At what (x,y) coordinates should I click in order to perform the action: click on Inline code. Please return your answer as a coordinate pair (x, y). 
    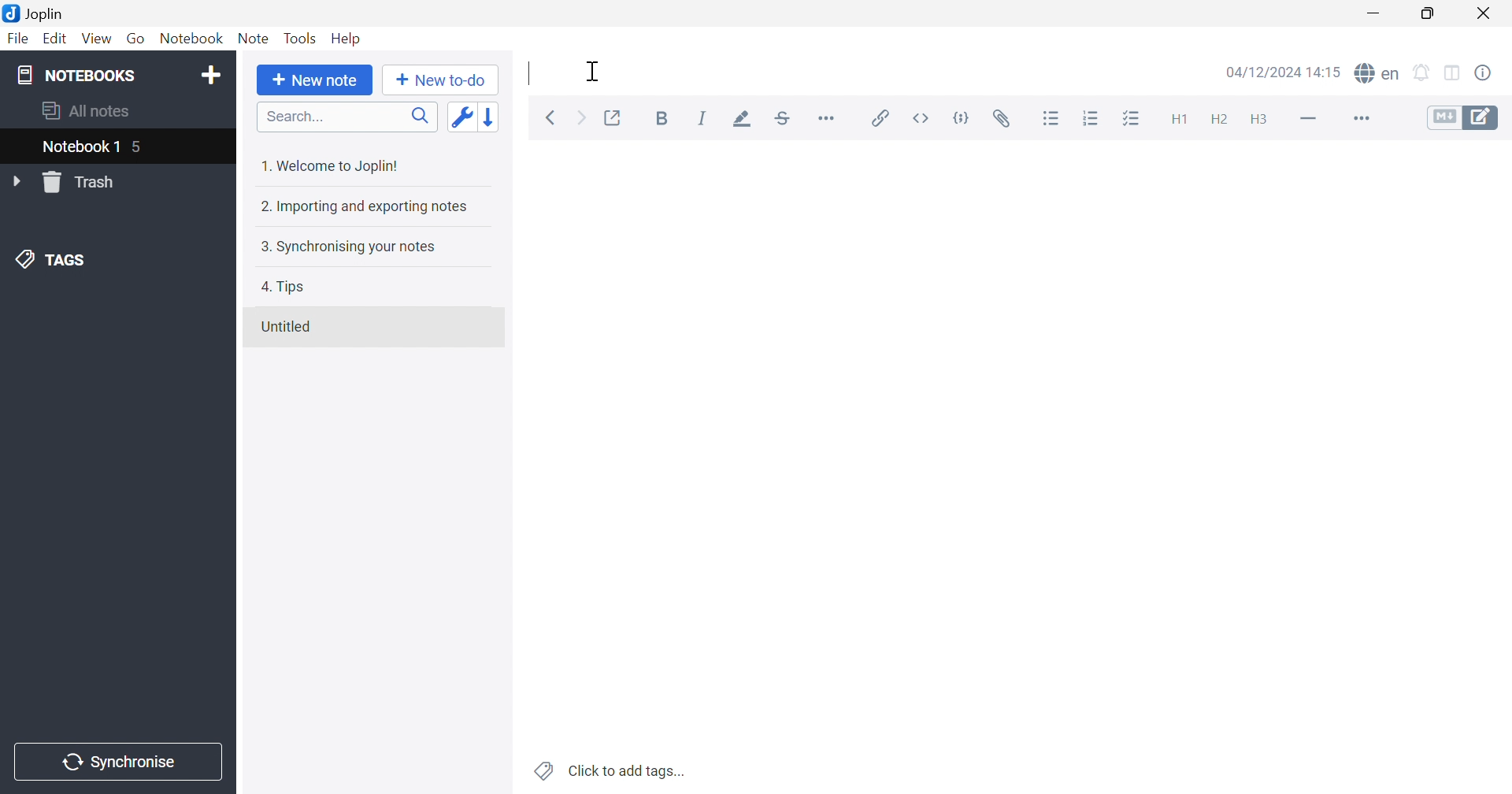
    Looking at the image, I should click on (924, 118).